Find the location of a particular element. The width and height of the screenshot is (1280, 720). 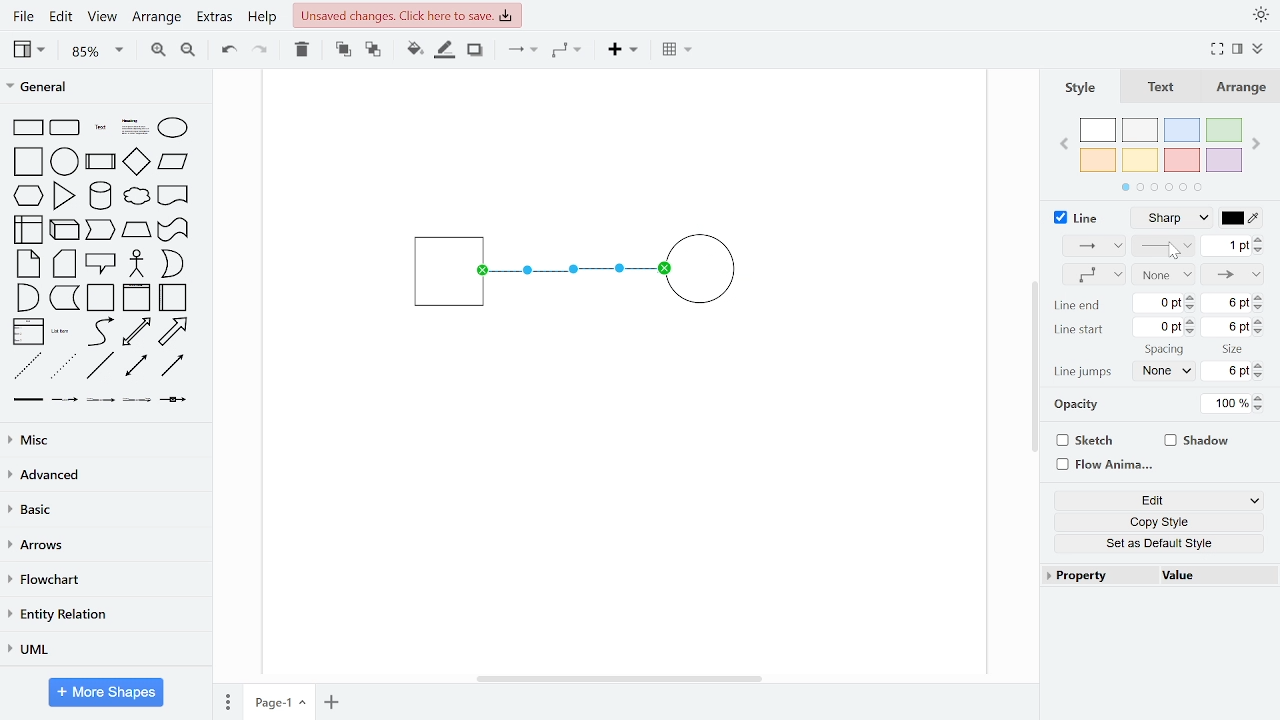

connector is located at coordinates (522, 51).